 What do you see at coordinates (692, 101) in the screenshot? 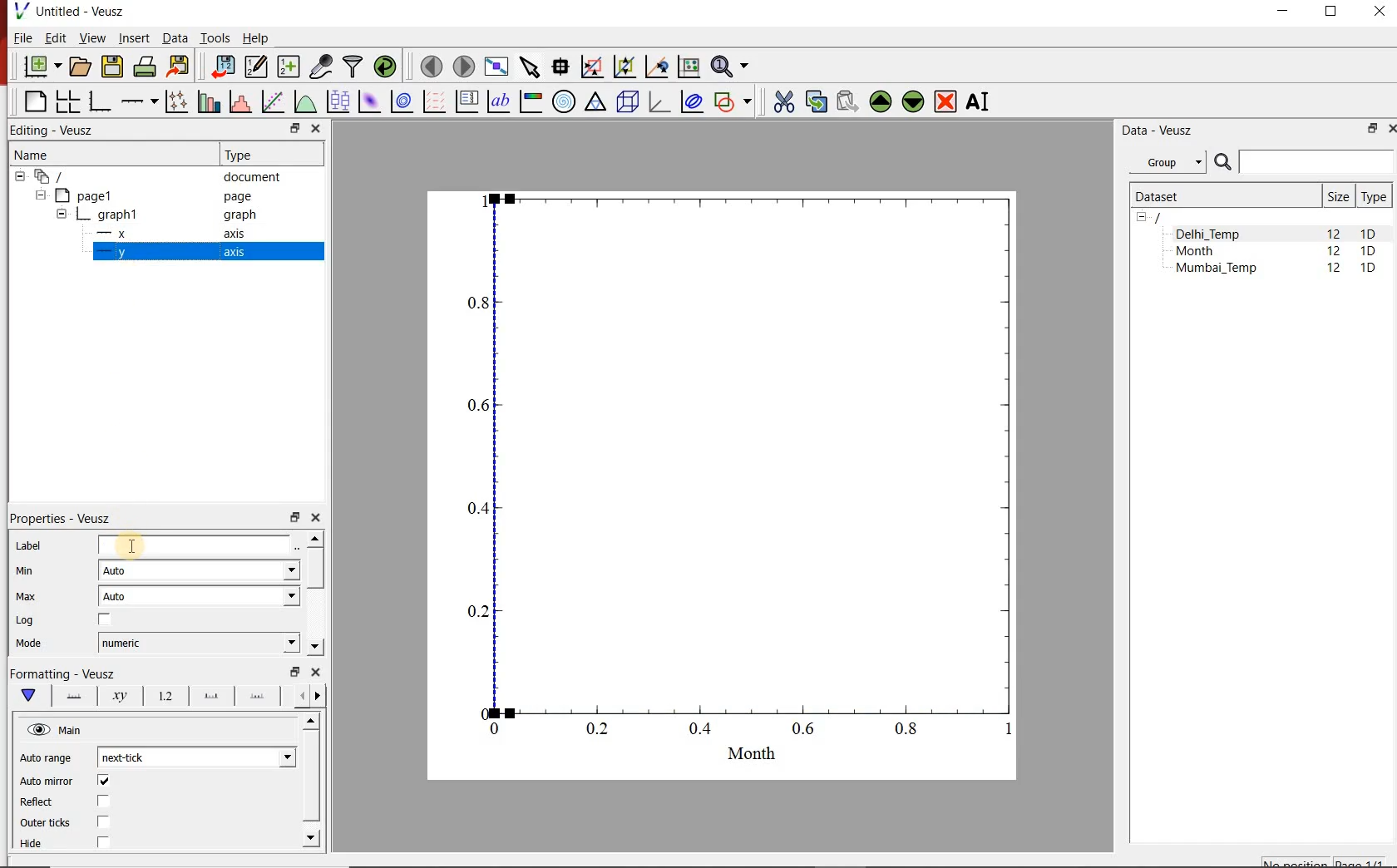
I see `plot covariance ellipses` at bounding box center [692, 101].